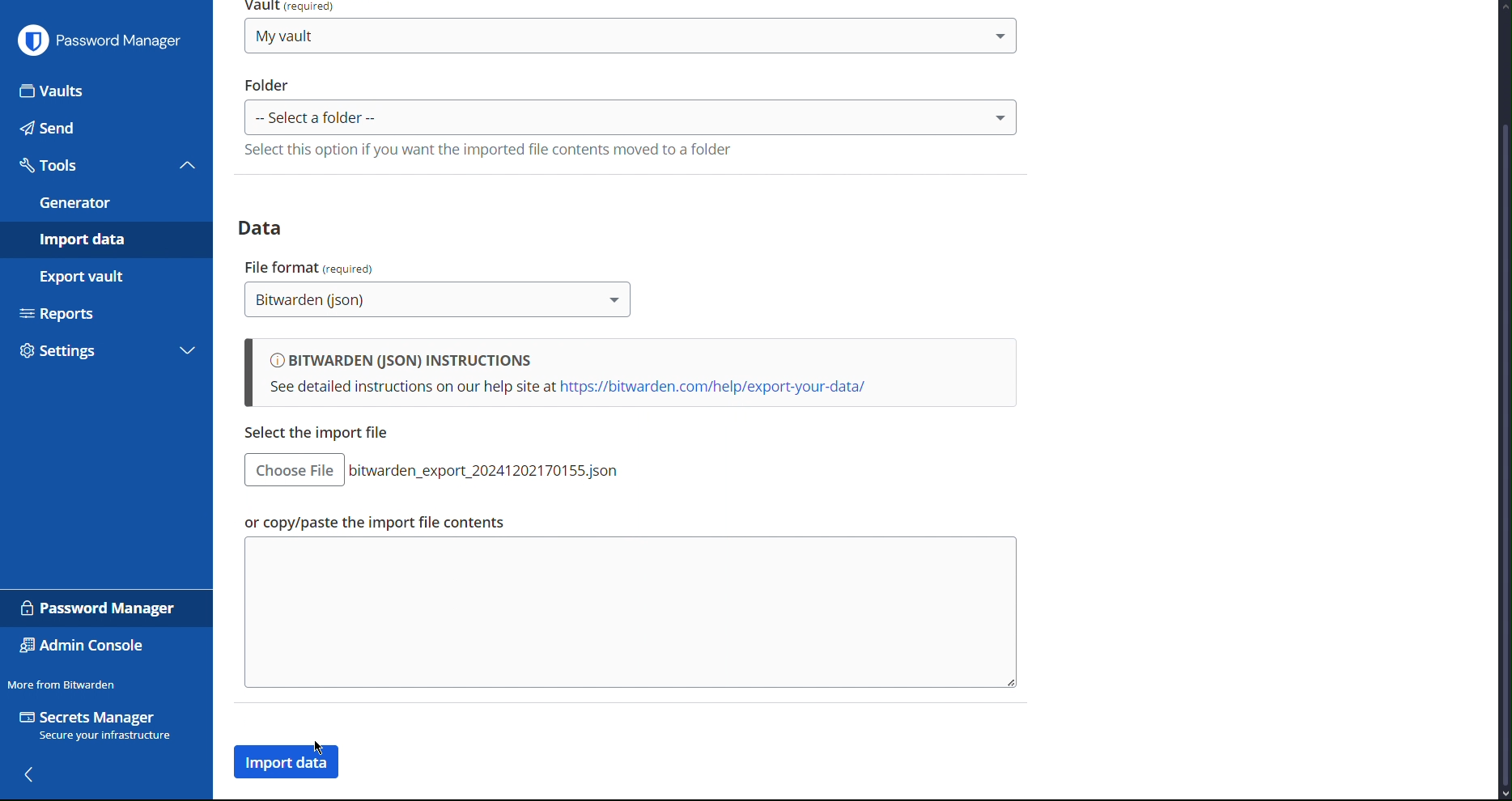  Describe the element at coordinates (294, 7) in the screenshot. I see `vault` at that location.